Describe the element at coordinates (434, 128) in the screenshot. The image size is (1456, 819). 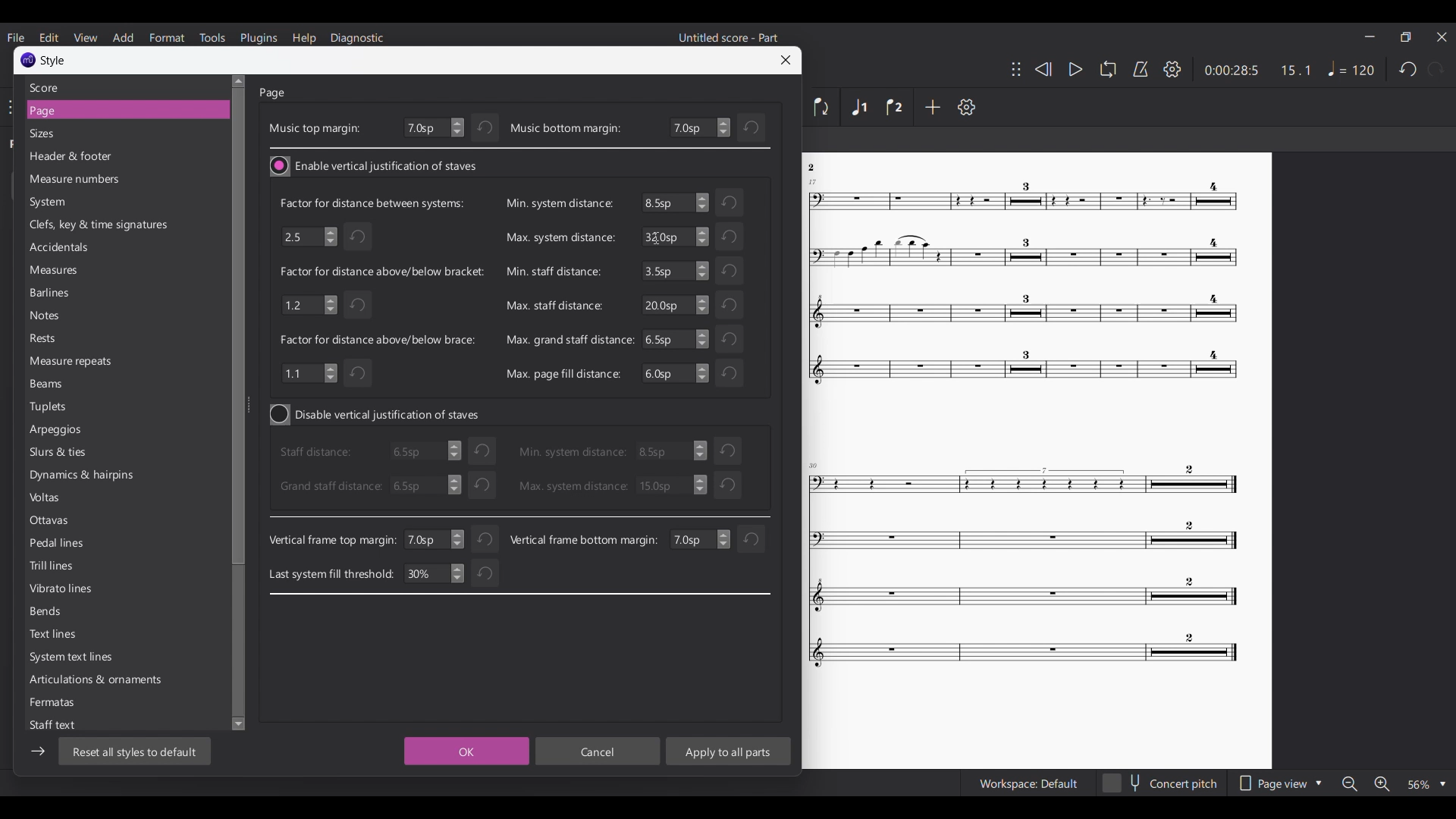
I see `Top margin settings` at that location.